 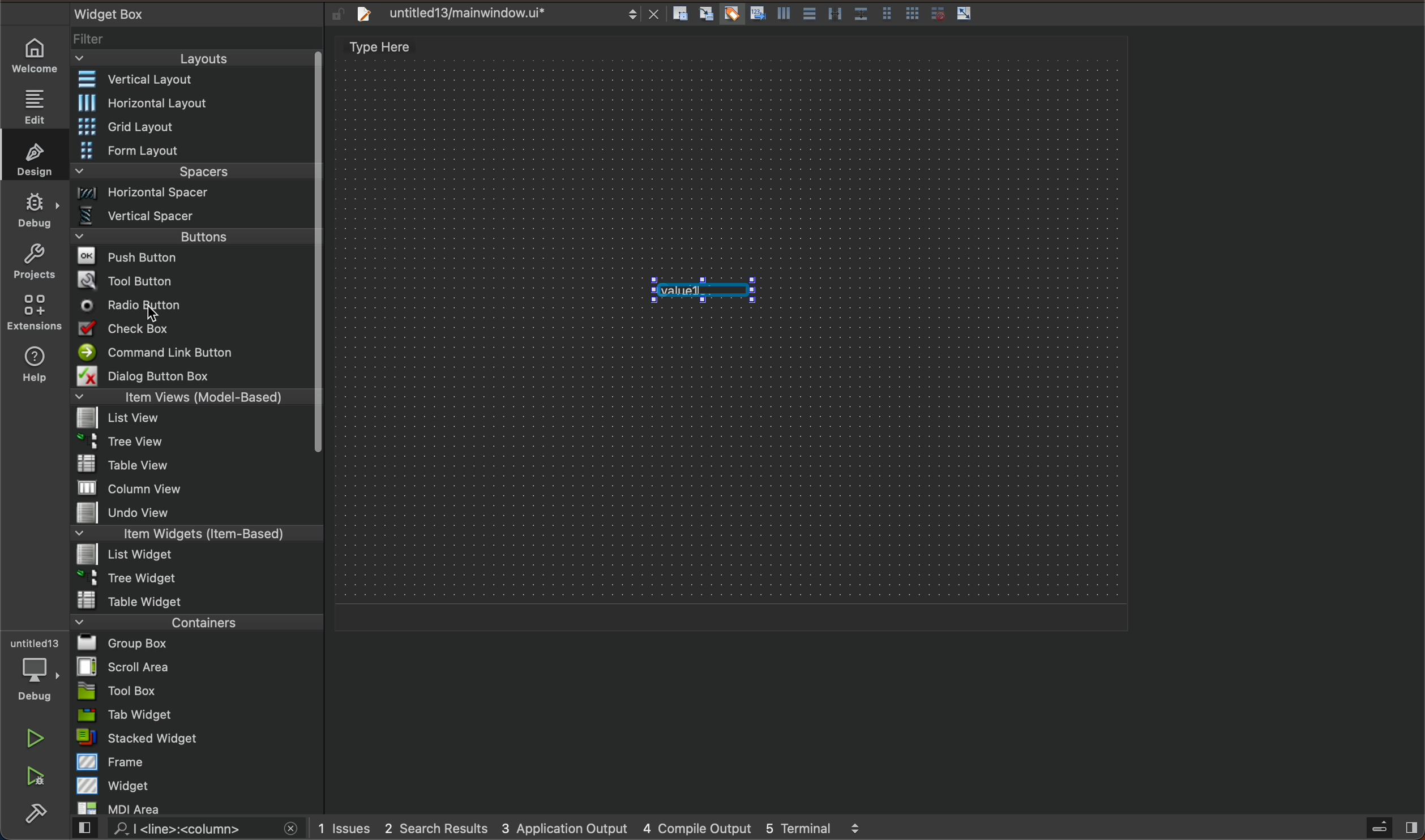 What do you see at coordinates (135, 306) in the screenshot?
I see `on key down` at bounding box center [135, 306].